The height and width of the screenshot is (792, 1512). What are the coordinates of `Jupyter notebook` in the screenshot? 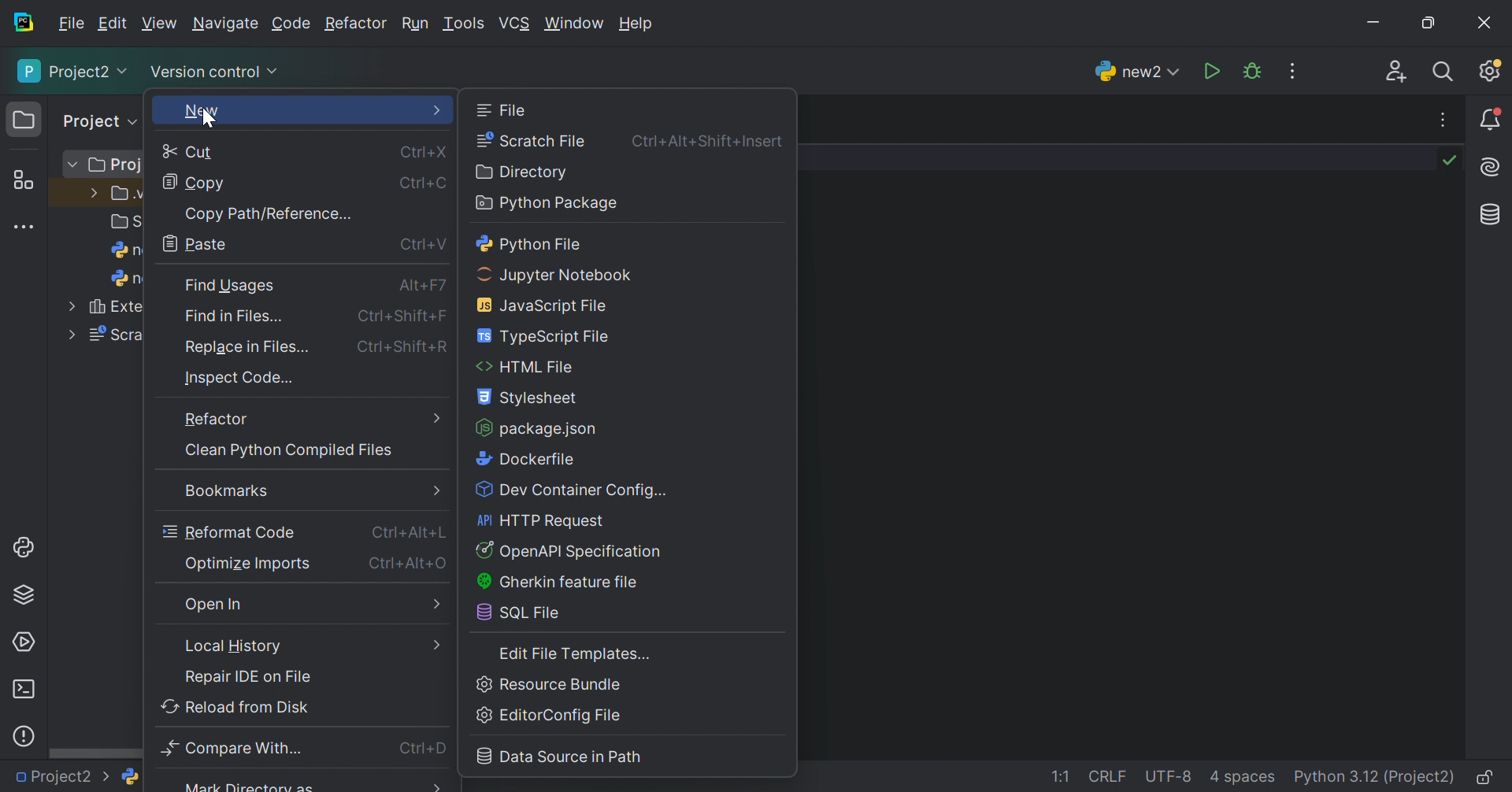 It's located at (556, 275).